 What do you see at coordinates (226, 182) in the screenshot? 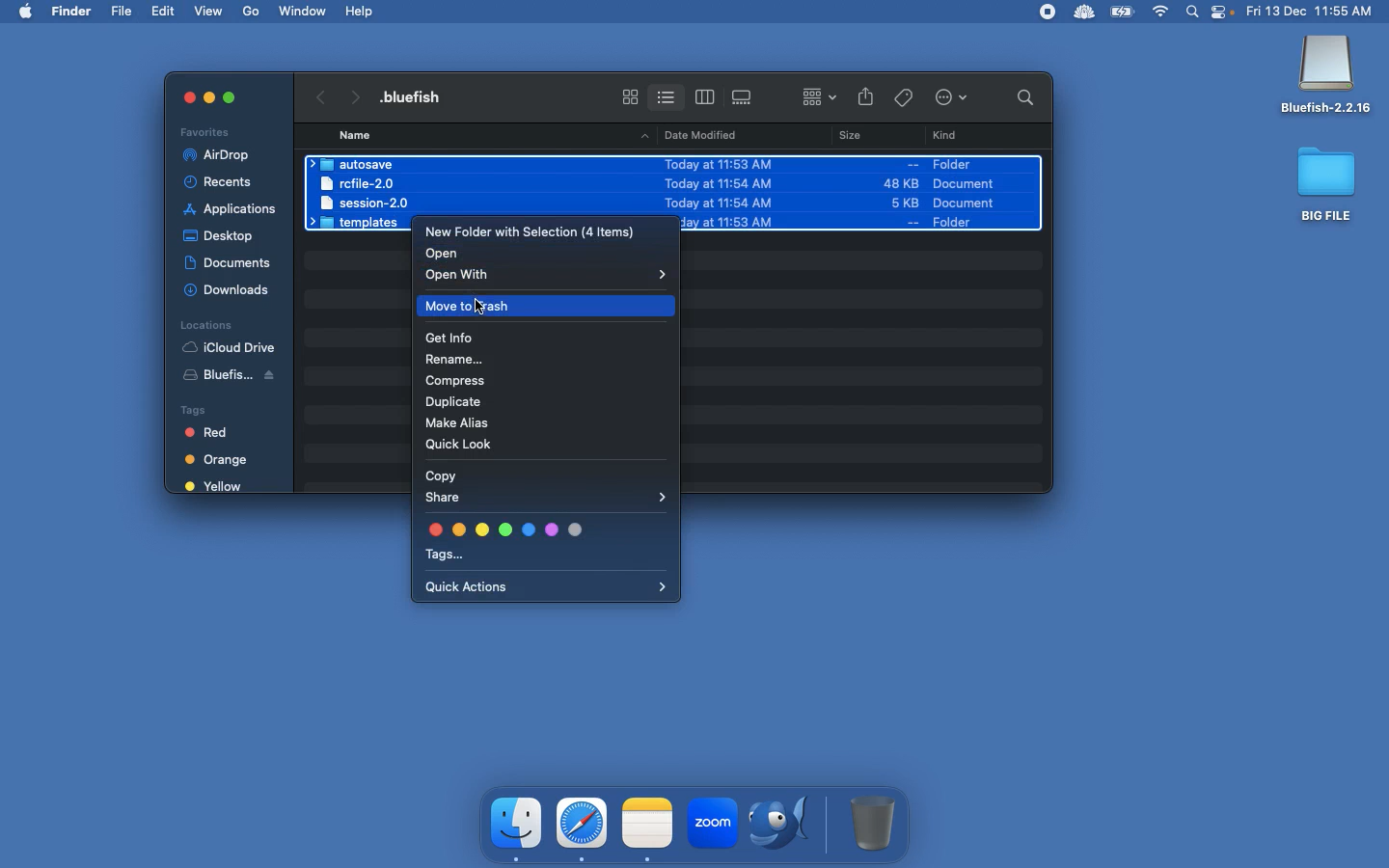
I see `recent` at bounding box center [226, 182].